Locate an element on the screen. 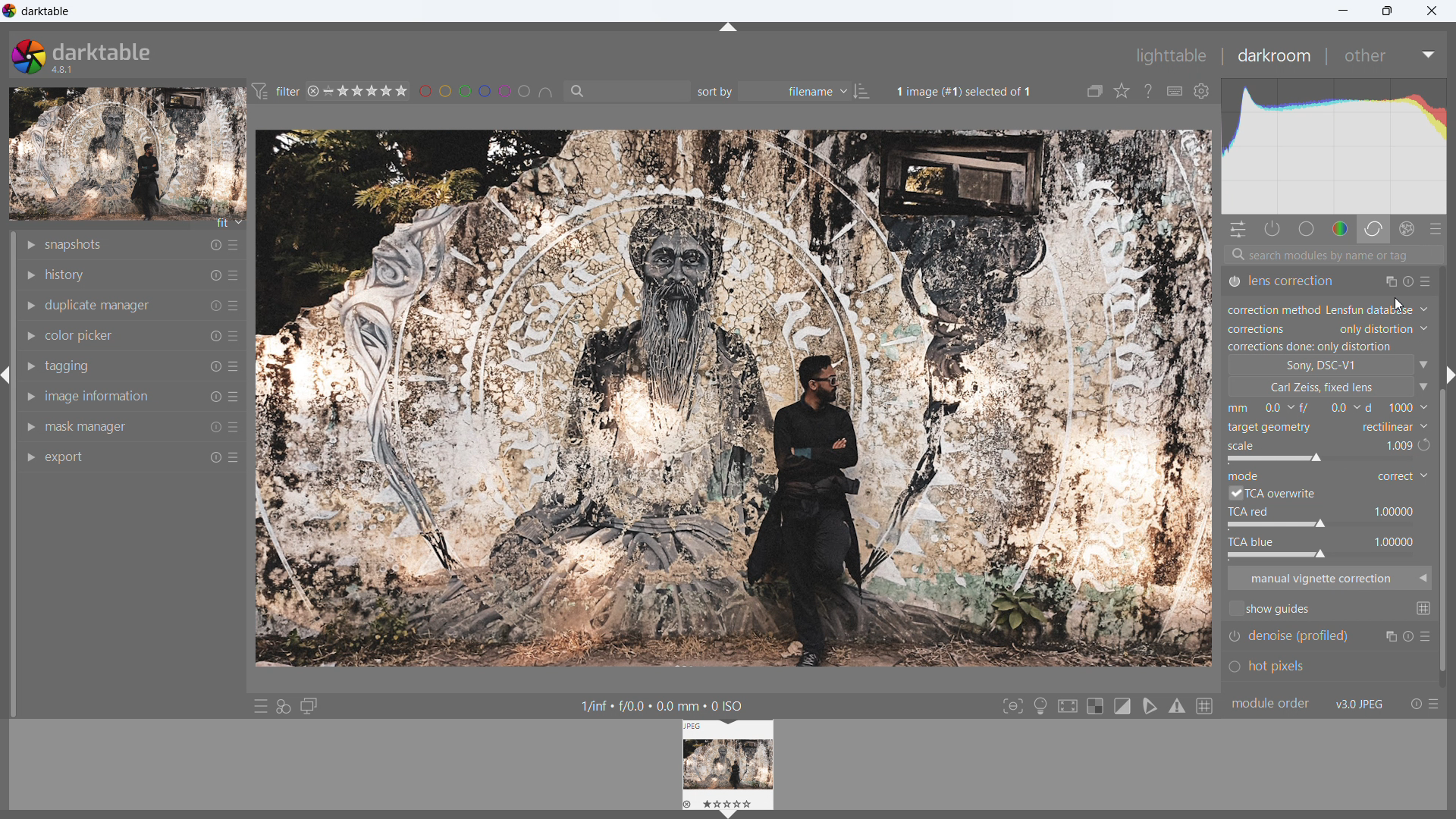 This screenshot has height=819, width=1456. base is located at coordinates (1307, 229).